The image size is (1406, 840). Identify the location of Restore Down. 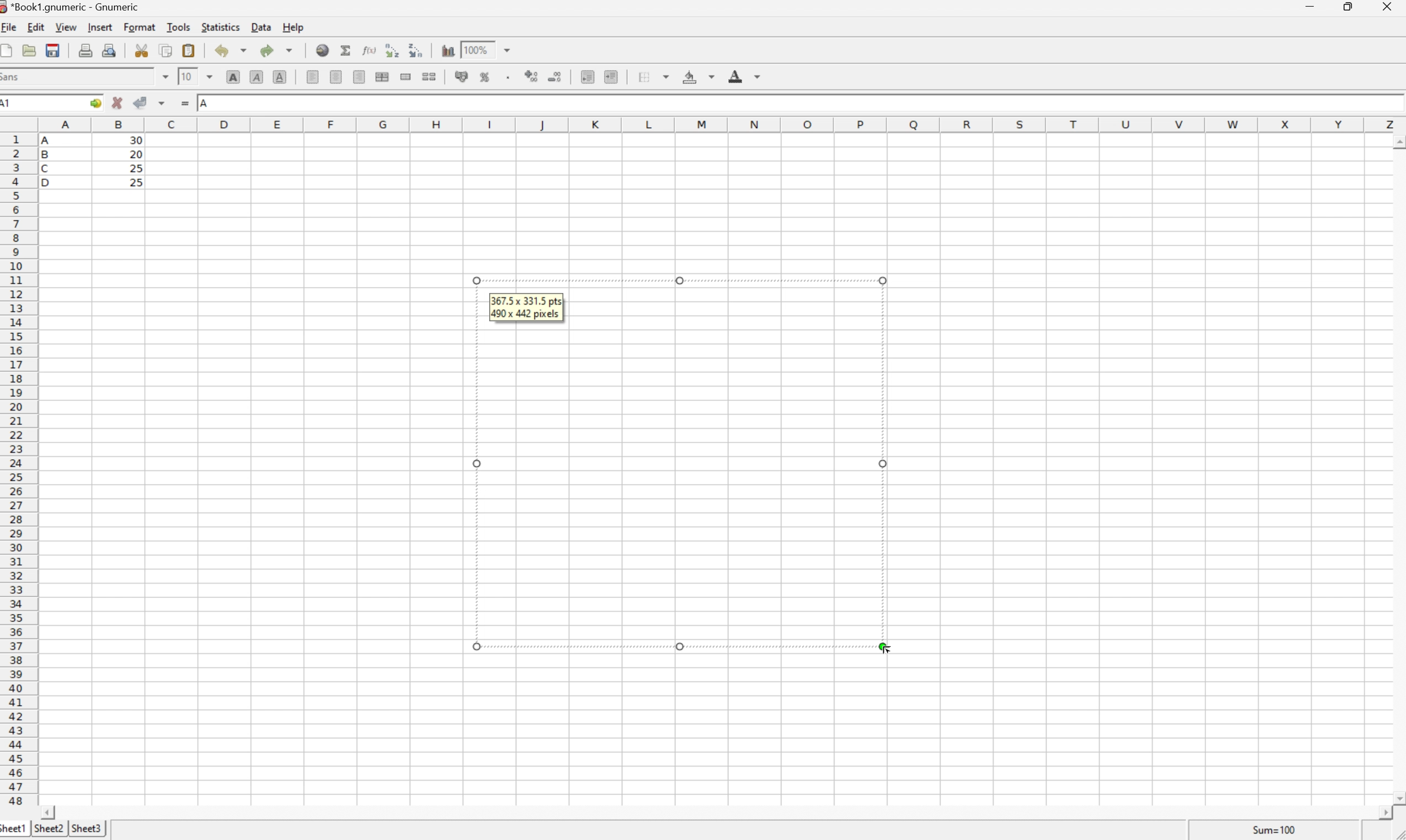
(1351, 6).